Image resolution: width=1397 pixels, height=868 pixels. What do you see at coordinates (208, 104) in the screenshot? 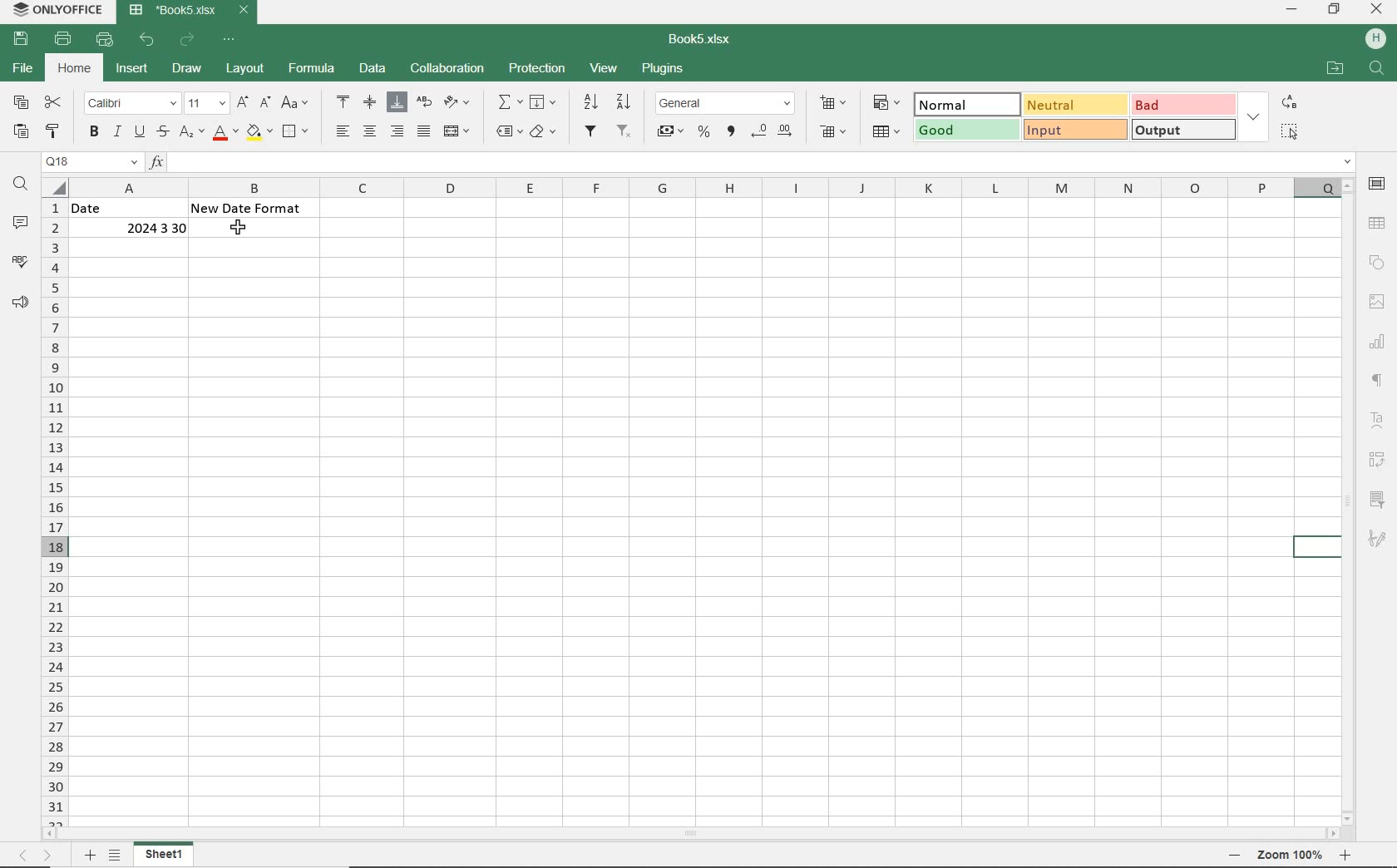
I see `FONT SIZE` at bounding box center [208, 104].